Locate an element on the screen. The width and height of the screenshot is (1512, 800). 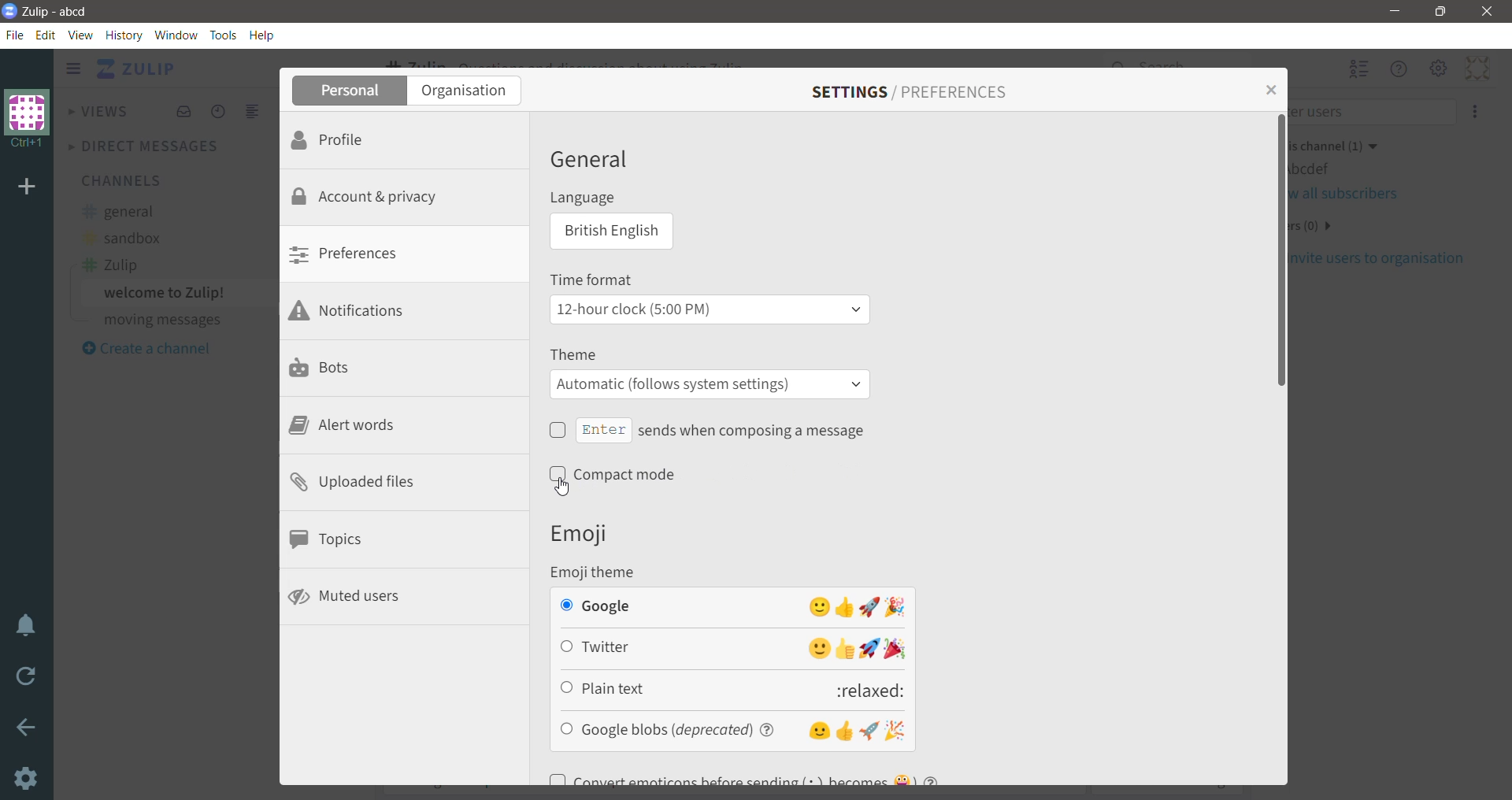
general is located at coordinates (120, 212).